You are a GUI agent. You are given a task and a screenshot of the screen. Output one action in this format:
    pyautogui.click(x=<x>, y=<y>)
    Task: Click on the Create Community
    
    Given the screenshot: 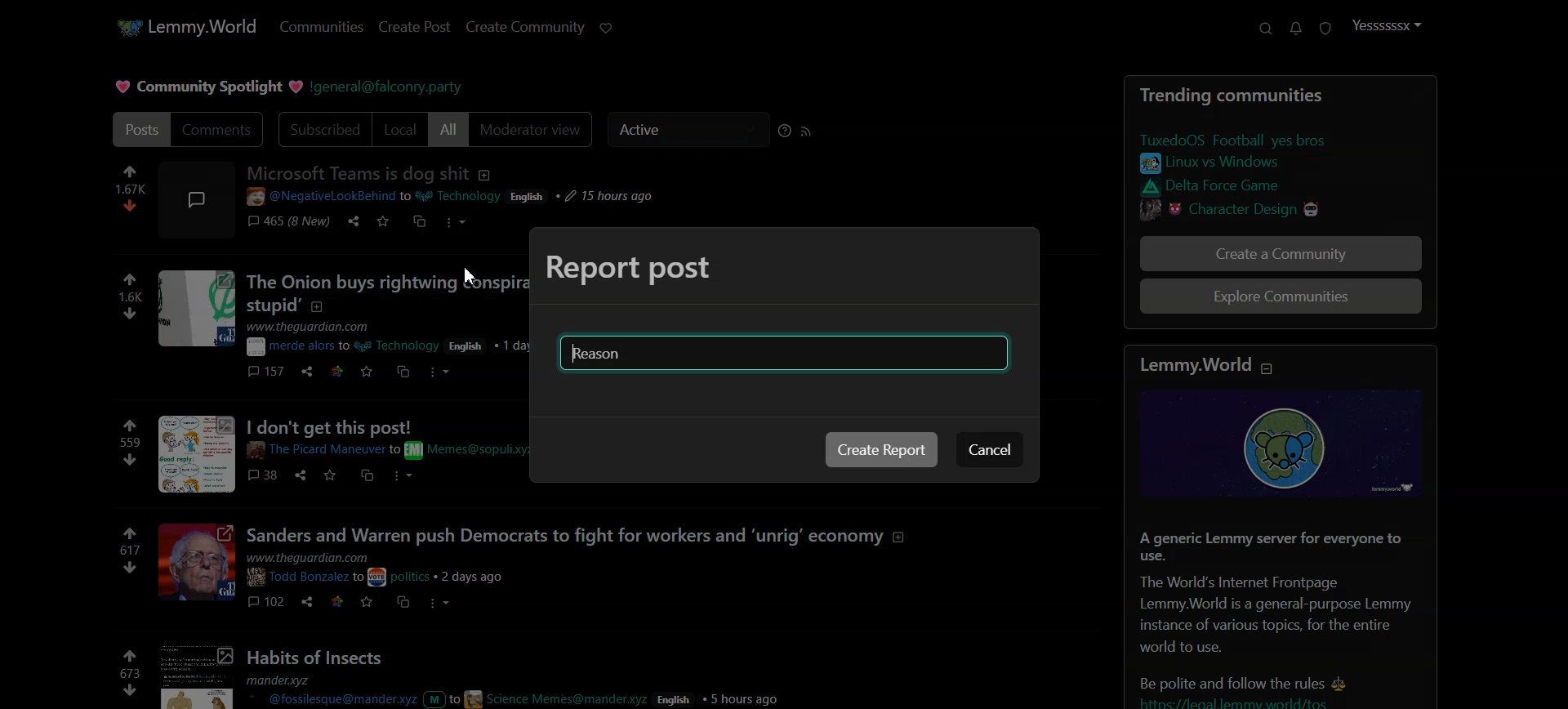 What is the action you would take?
    pyautogui.click(x=525, y=27)
    